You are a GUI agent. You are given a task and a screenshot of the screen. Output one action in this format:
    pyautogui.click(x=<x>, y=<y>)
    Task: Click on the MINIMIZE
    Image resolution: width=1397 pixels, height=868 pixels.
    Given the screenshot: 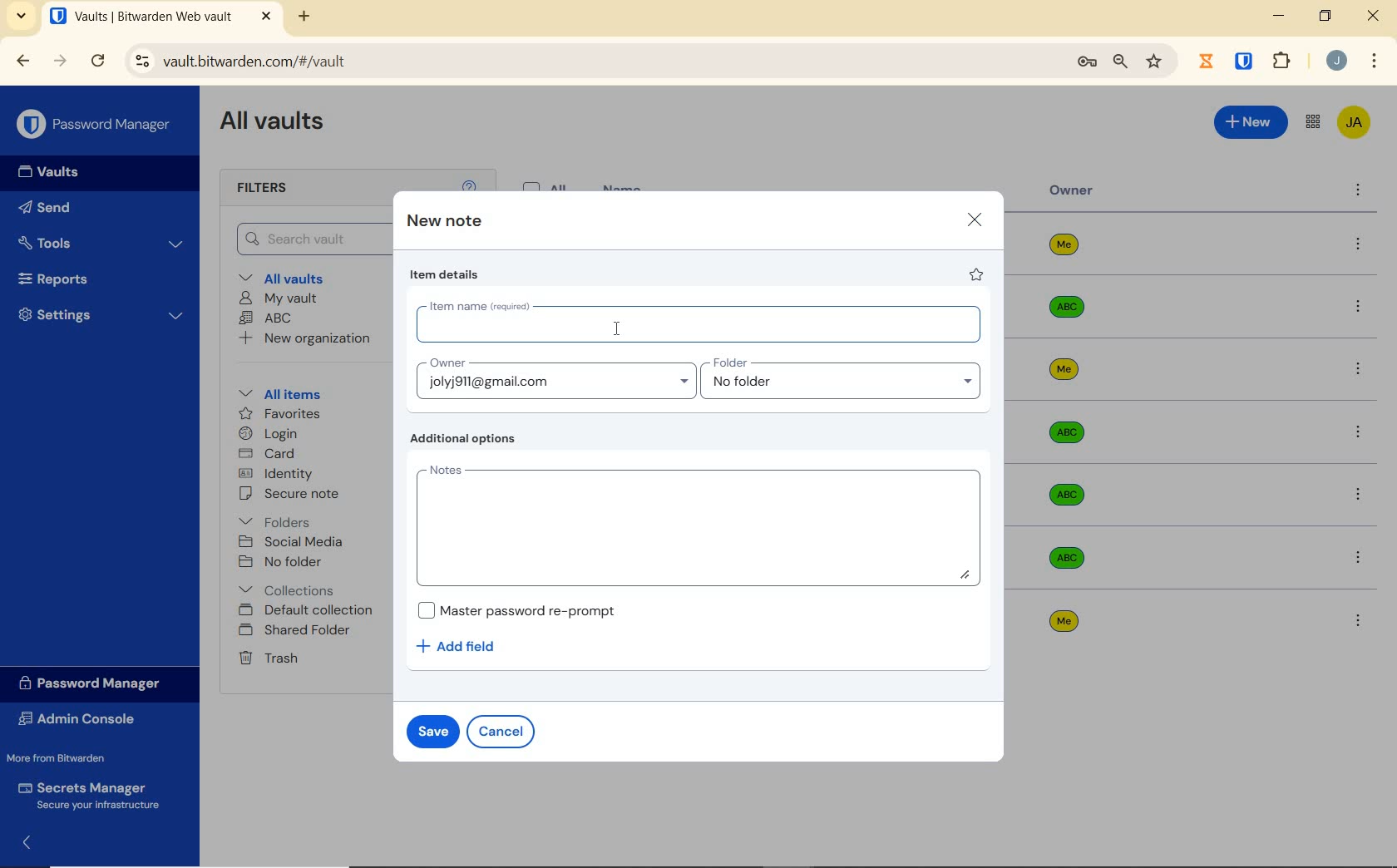 What is the action you would take?
    pyautogui.click(x=1281, y=17)
    